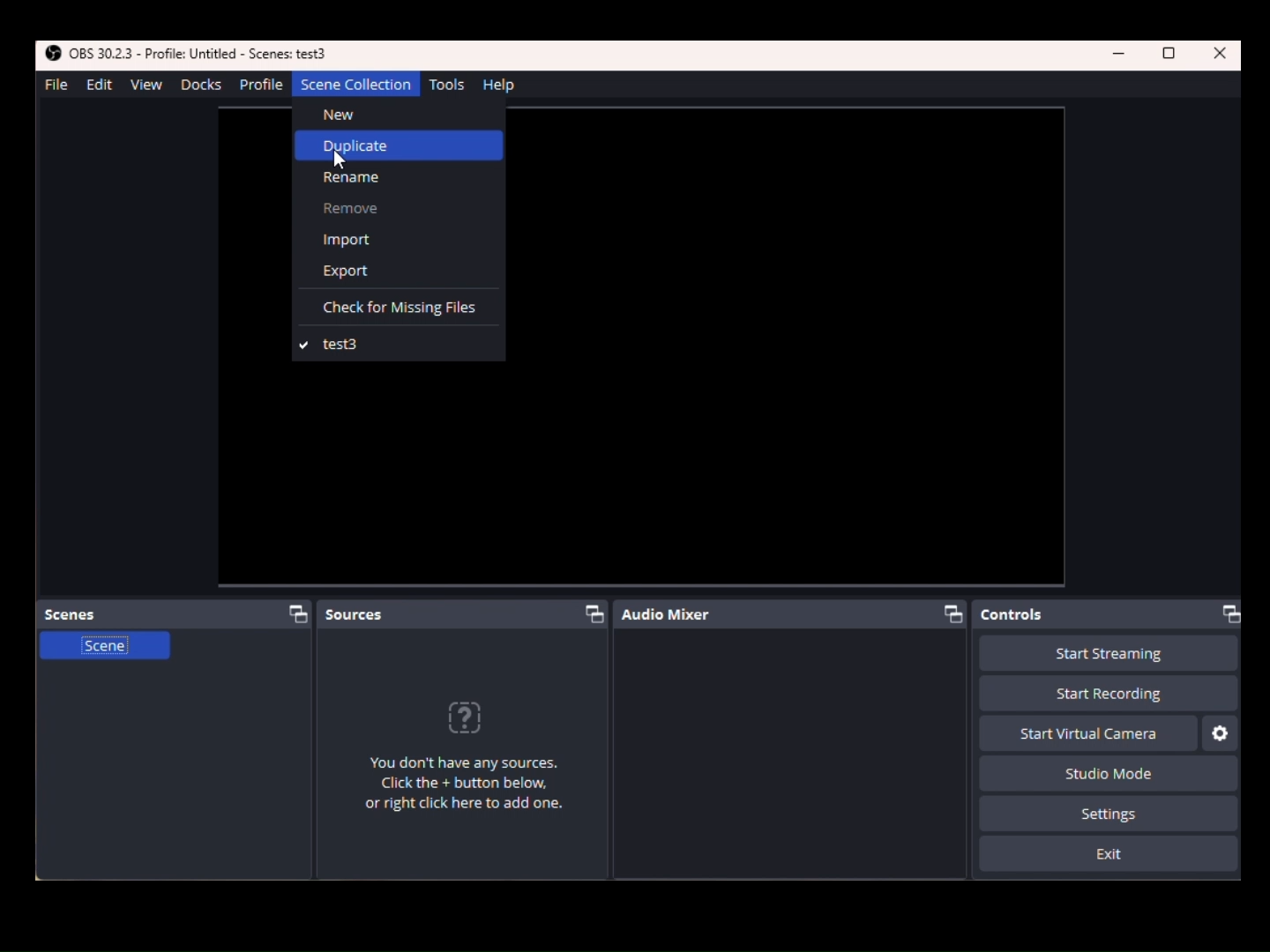 The image size is (1270, 952). Describe the element at coordinates (260, 85) in the screenshot. I see `profile` at that location.